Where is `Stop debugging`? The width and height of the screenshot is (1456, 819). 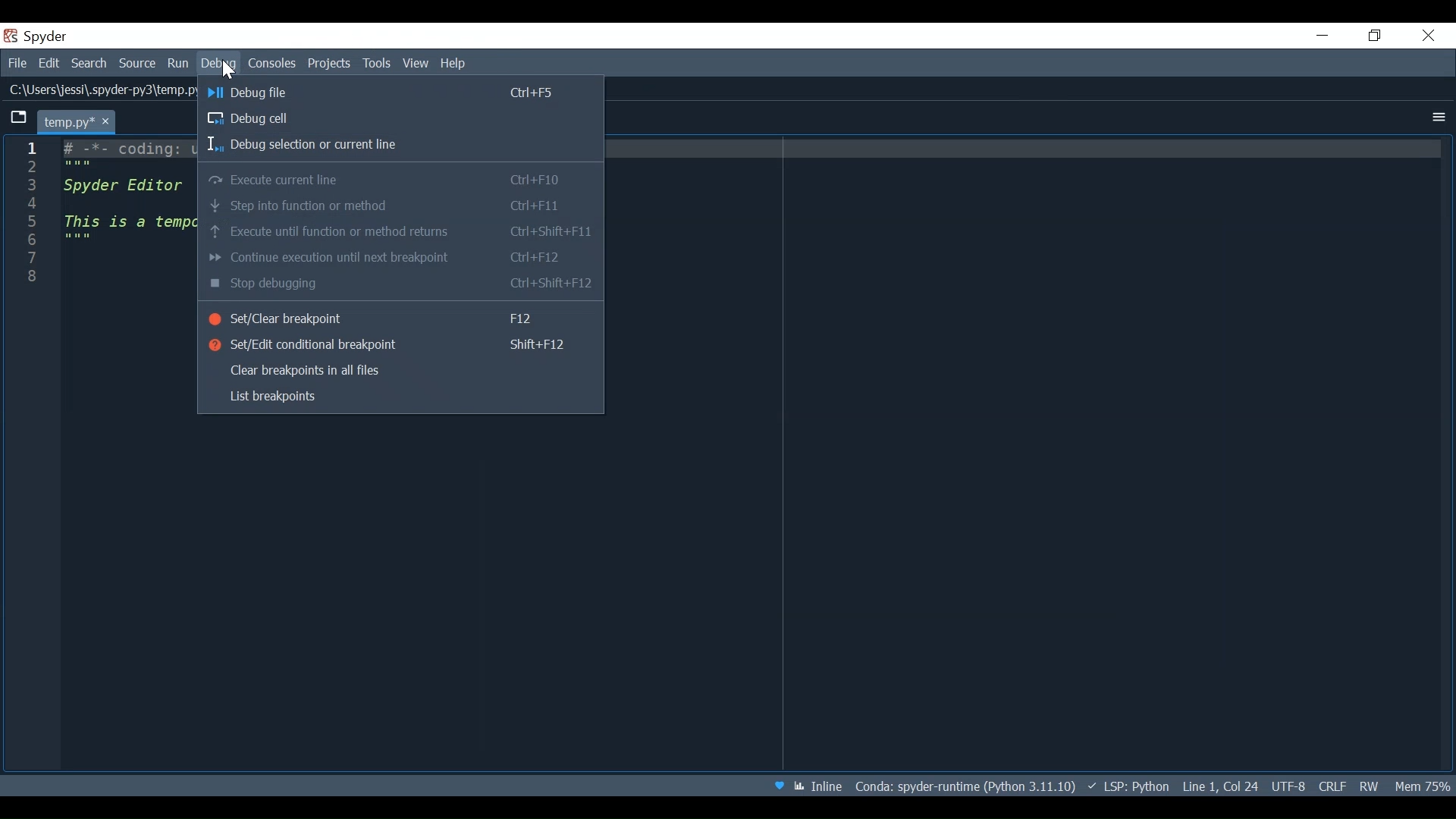
Stop debugging is located at coordinates (399, 284).